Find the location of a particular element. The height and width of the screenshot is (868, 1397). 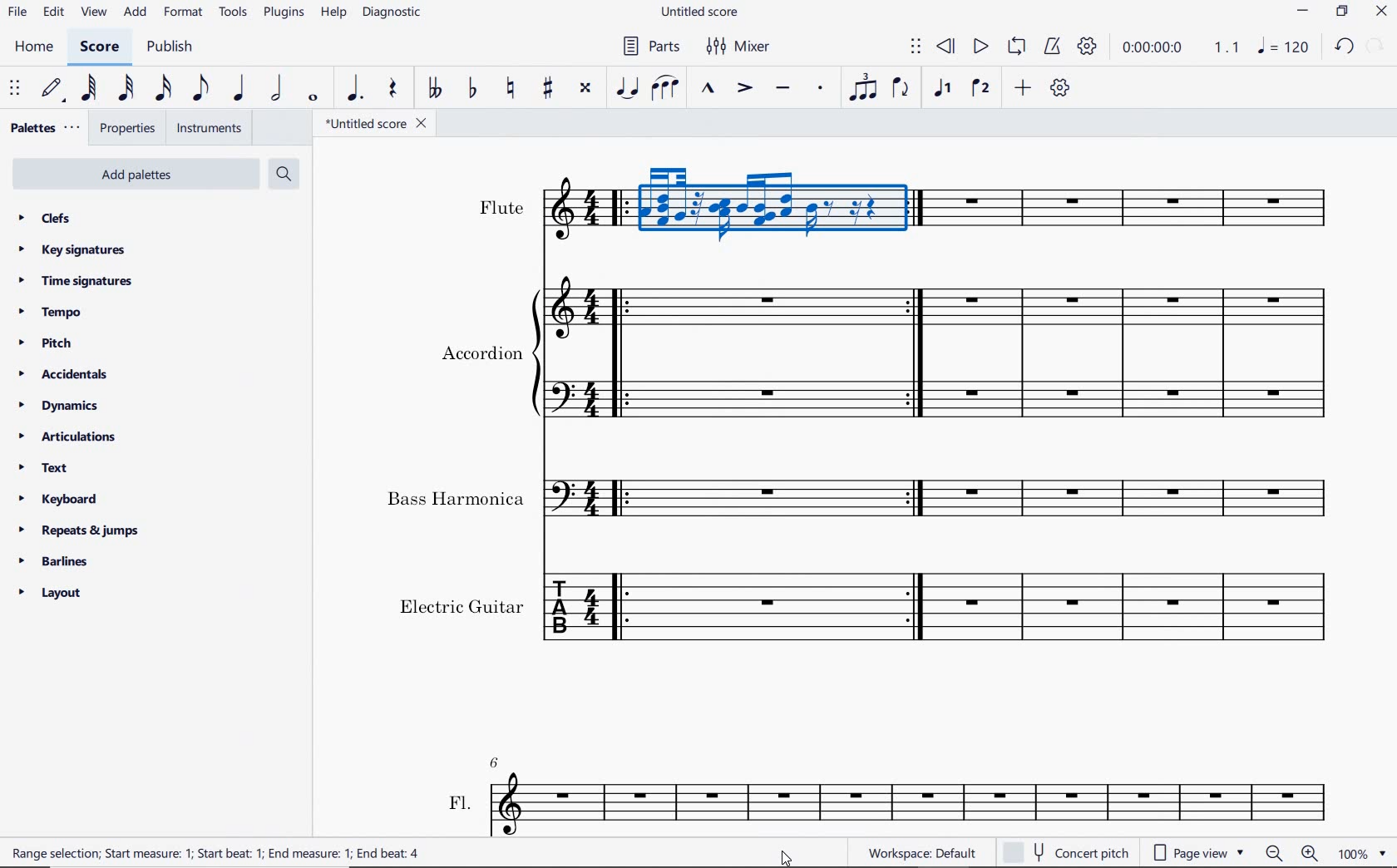

accidentals is located at coordinates (64, 374).